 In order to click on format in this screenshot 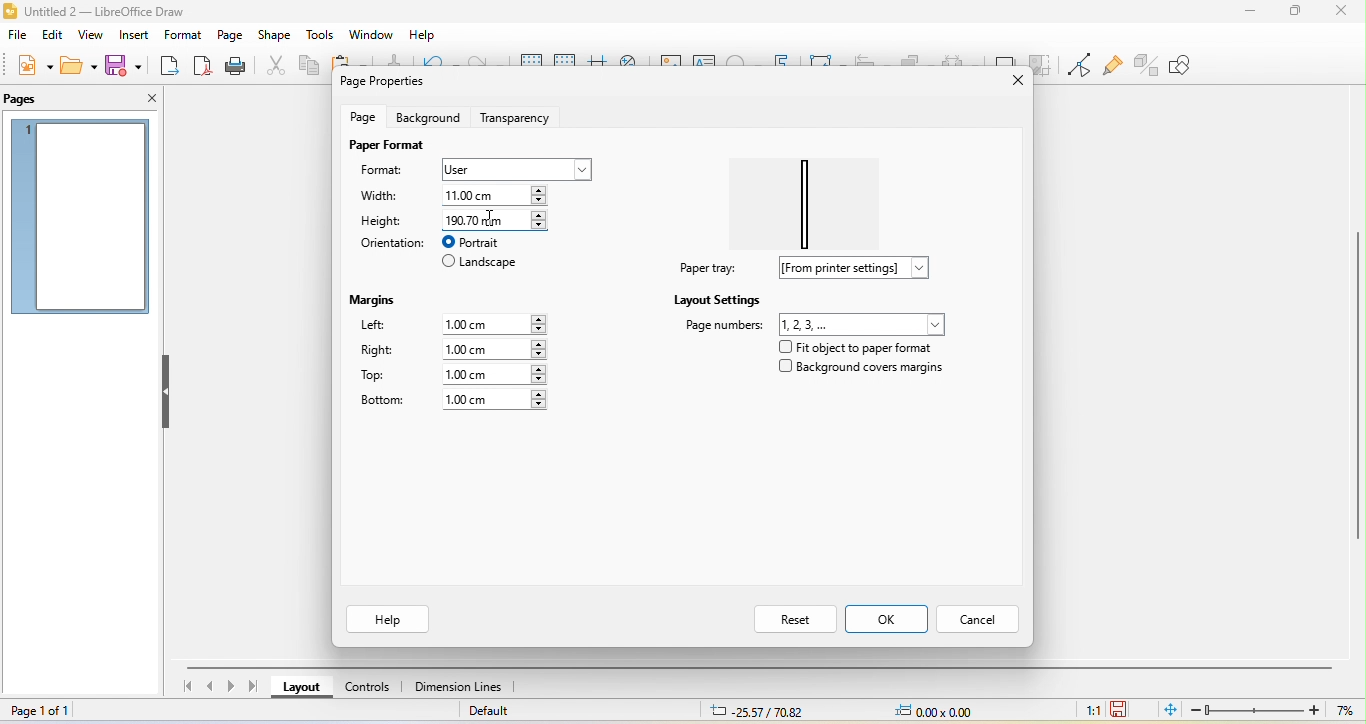, I will do `click(391, 172)`.